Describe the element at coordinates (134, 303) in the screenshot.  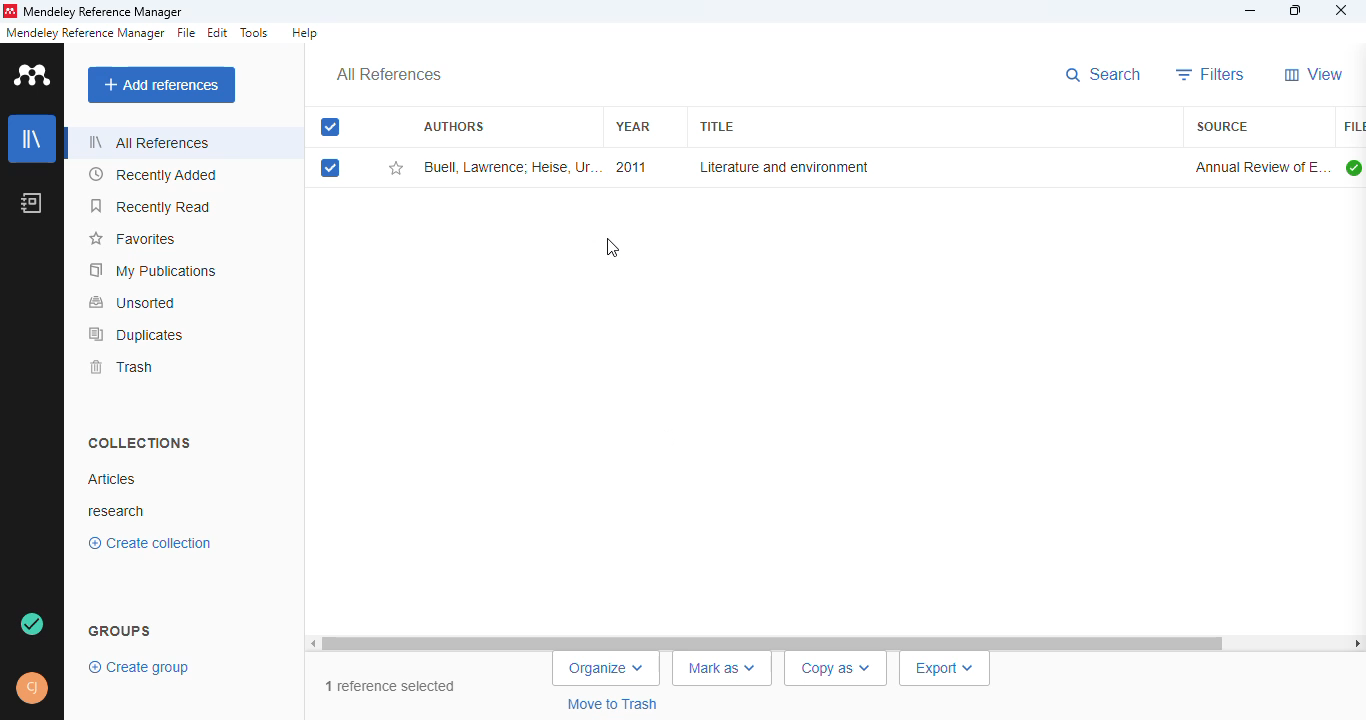
I see `unsorted` at that location.